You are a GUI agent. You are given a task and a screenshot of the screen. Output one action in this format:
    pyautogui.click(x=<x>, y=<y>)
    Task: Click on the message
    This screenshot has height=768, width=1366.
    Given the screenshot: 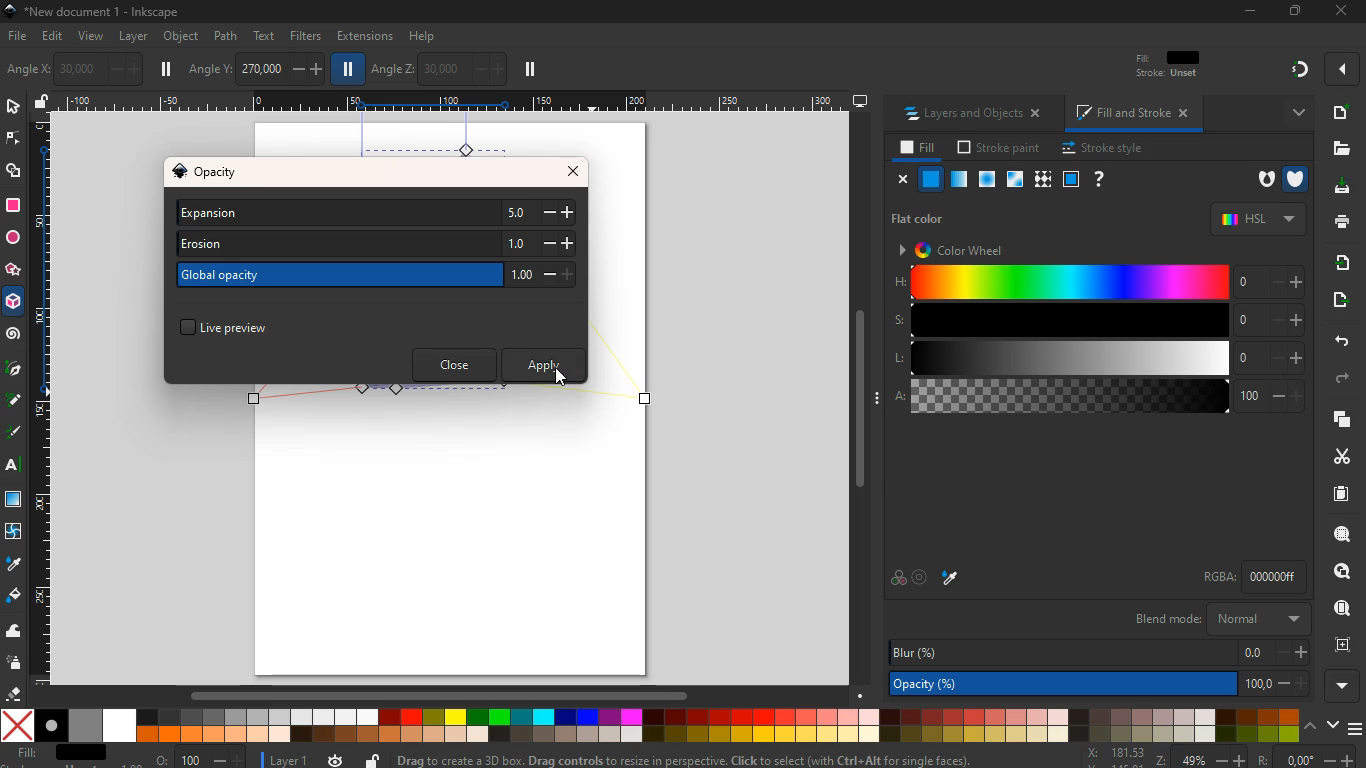 What is the action you would take?
    pyautogui.click(x=705, y=759)
    